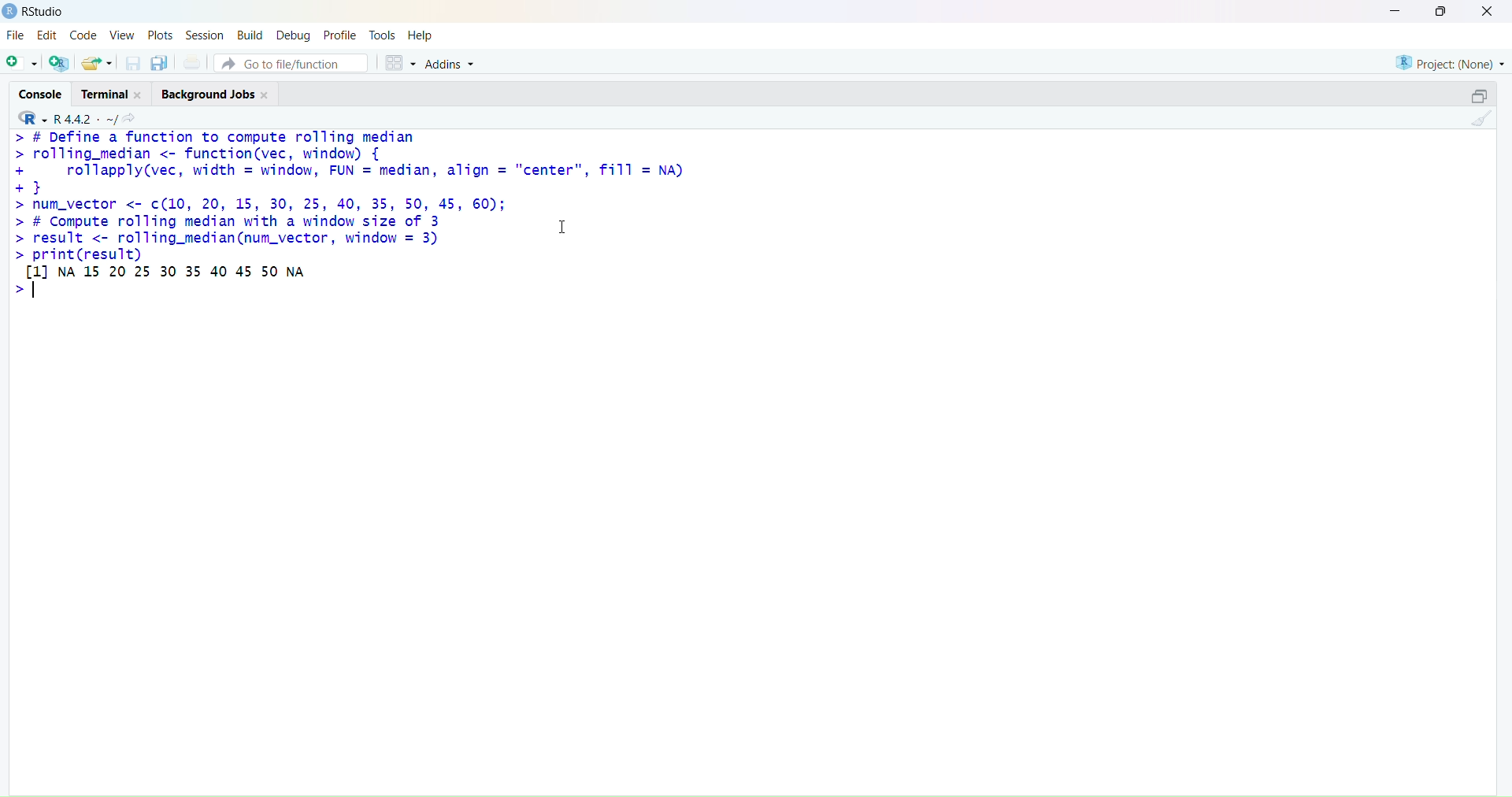 Image resolution: width=1512 pixels, height=797 pixels. What do you see at coordinates (85, 119) in the screenshot?
I see `R 4.4.2 ~/` at bounding box center [85, 119].